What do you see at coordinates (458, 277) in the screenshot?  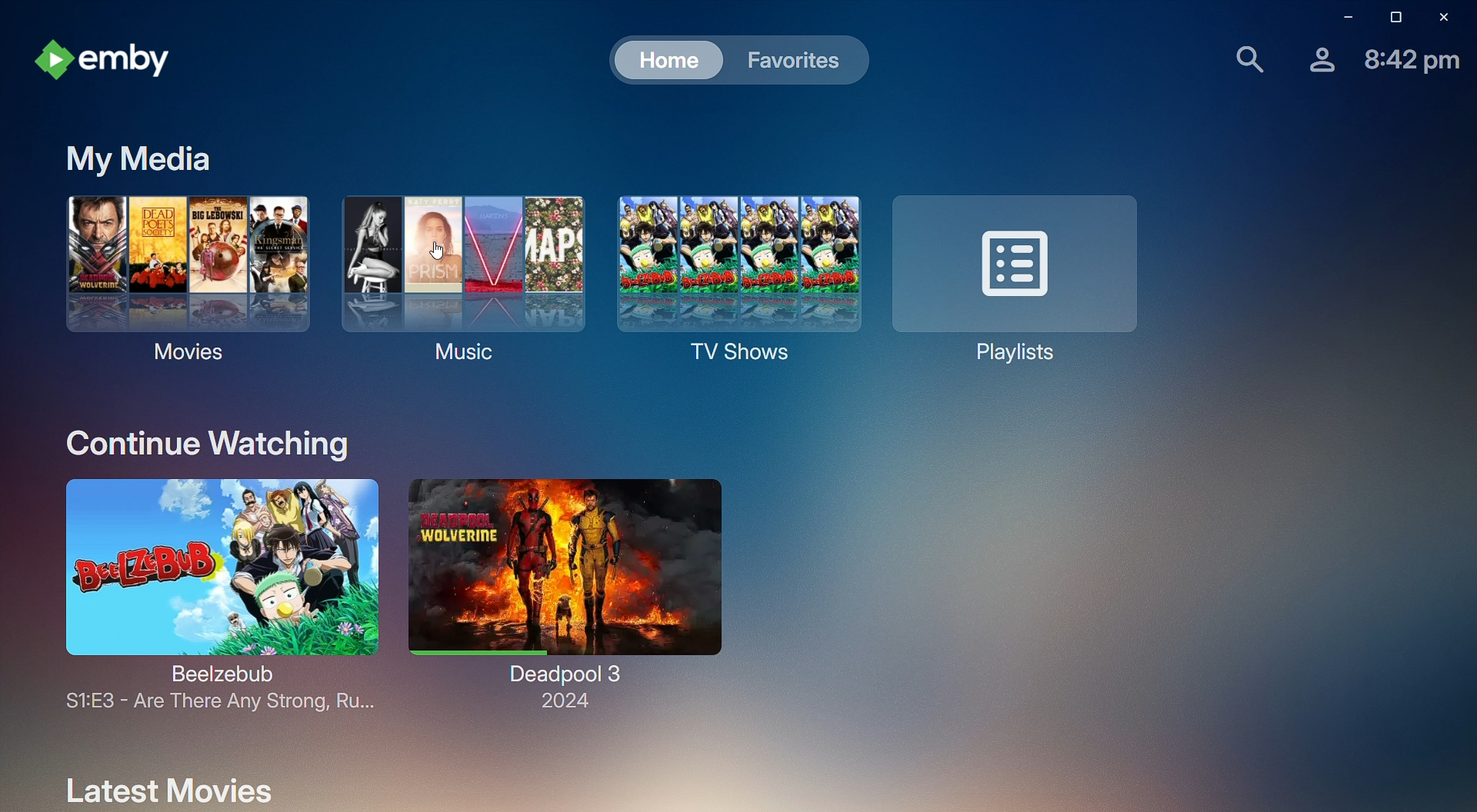 I see `Music` at bounding box center [458, 277].